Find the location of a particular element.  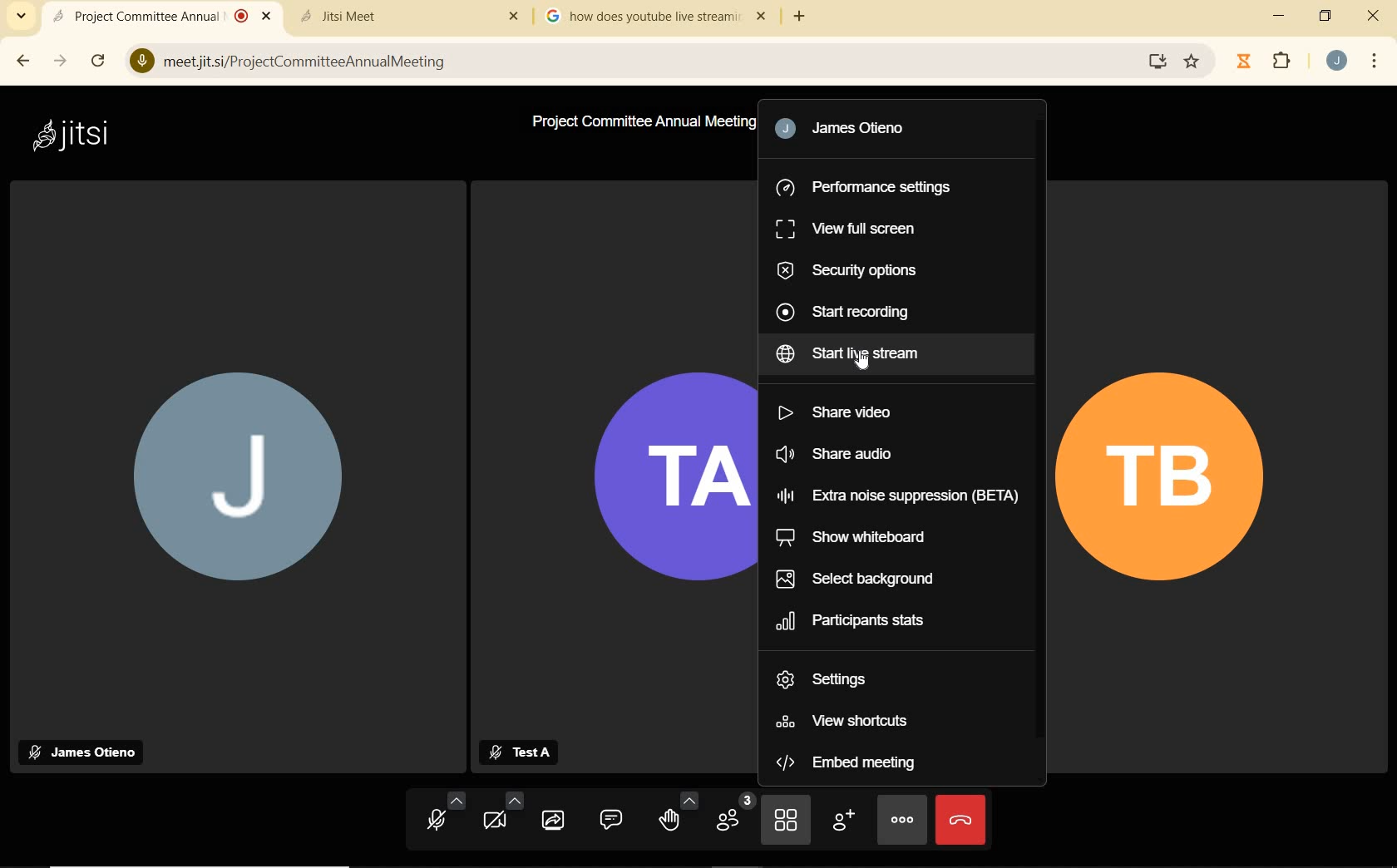

timer is located at coordinates (1244, 61).